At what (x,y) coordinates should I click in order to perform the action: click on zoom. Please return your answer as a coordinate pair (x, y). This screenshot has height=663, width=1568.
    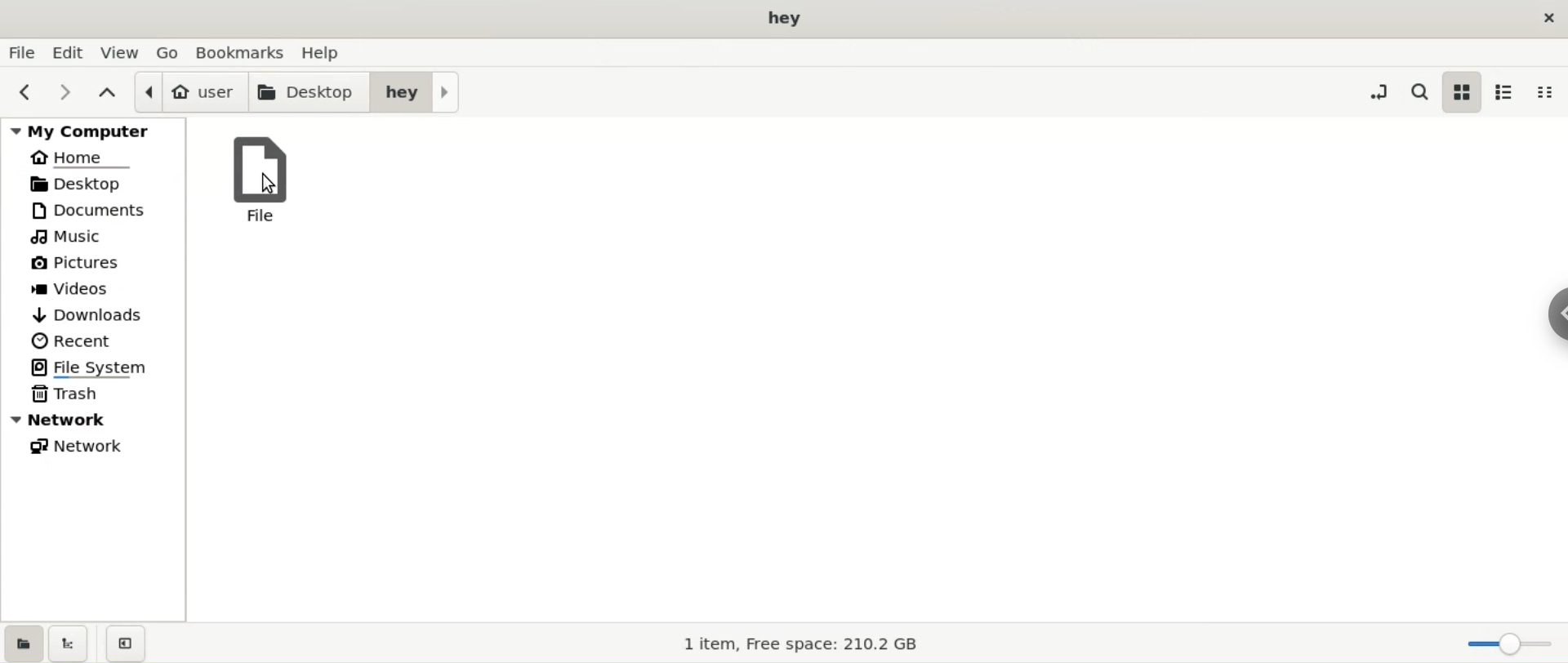
    Looking at the image, I should click on (1502, 643).